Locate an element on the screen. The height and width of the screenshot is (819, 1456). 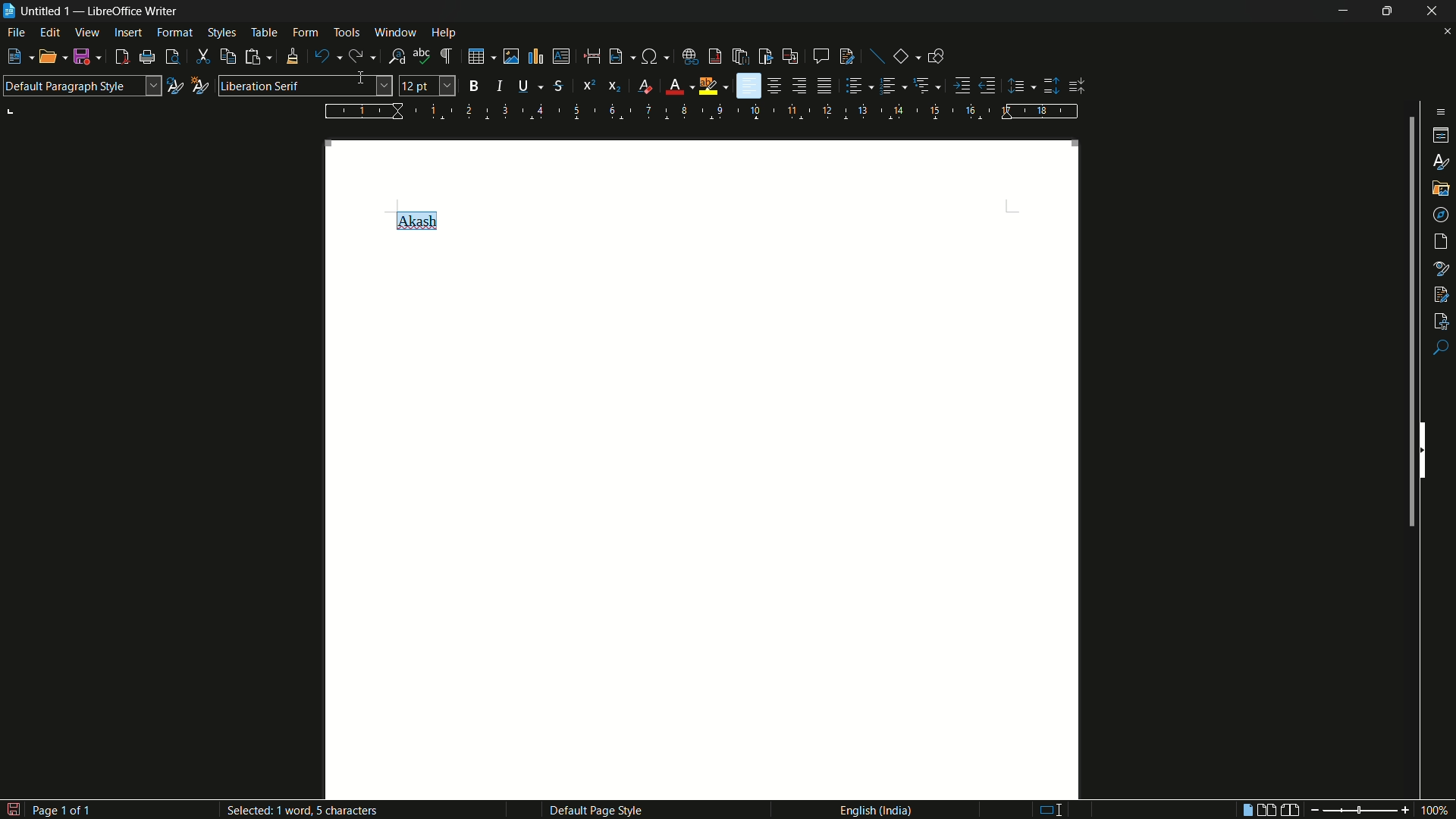
increase indentation is located at coordinates (964, 85).